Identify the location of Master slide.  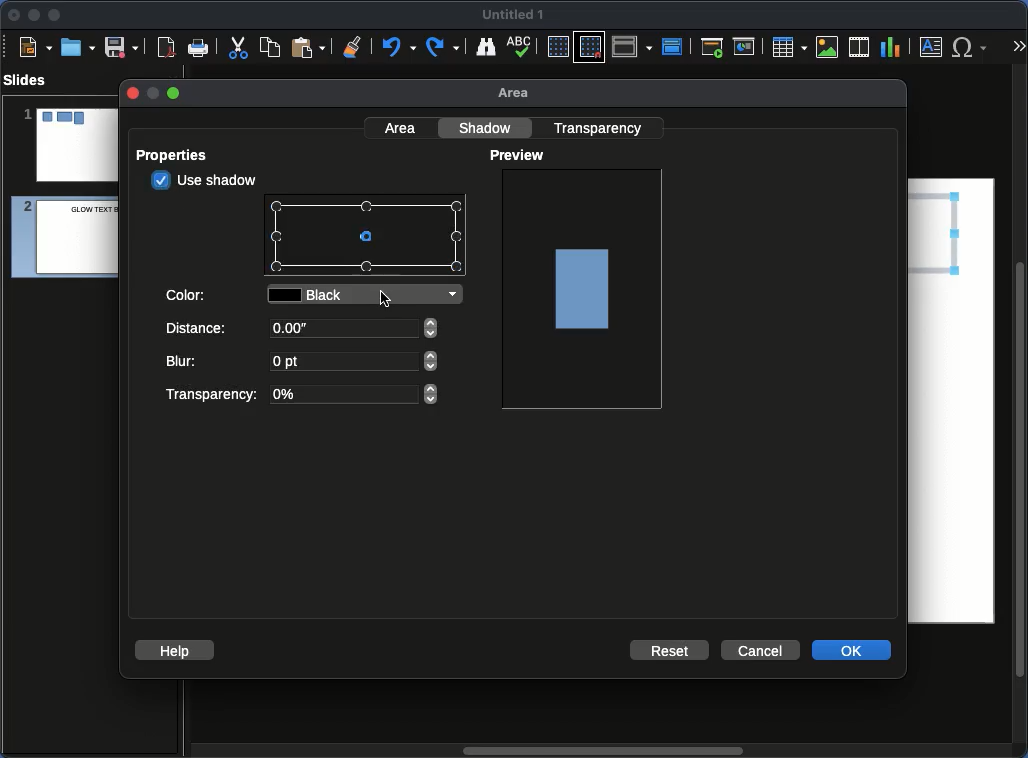
(675, 46).